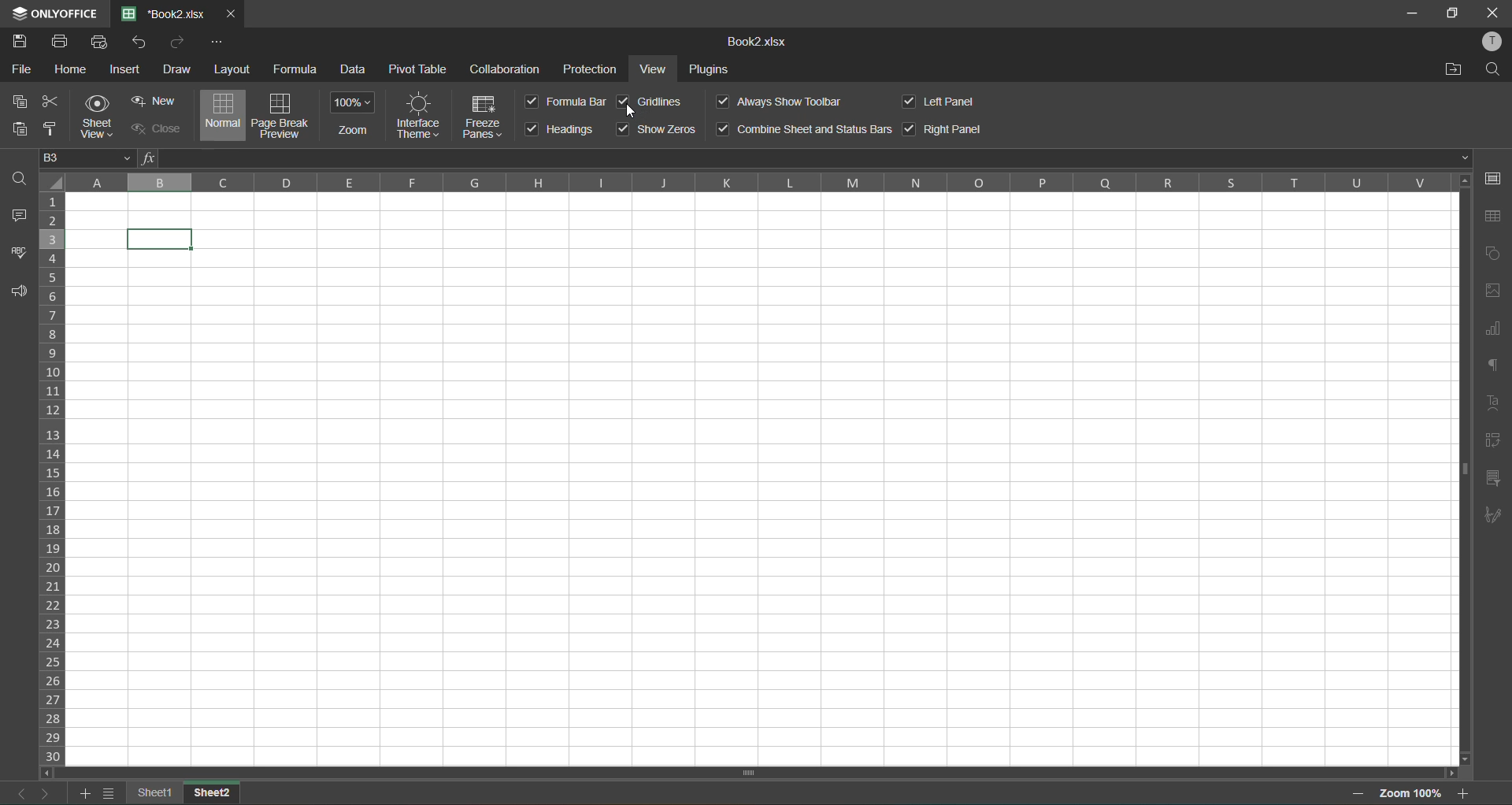 This screenshot has width=1512, height=805. Describe the element at coordinates (1454, 69) in the screenshot. I see `open location` at that location.